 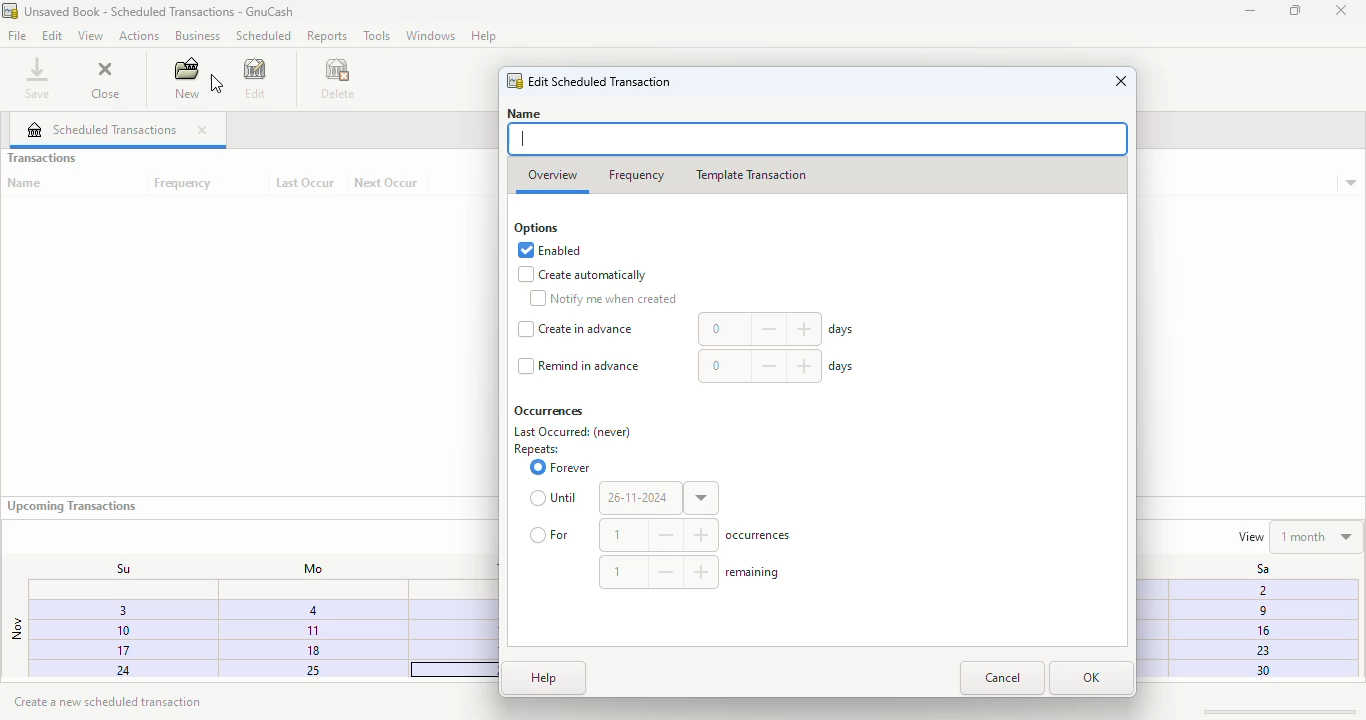 What do you see at coordinates (550, 250) in the screenshot?
I see `enabled` at bounding box center [550, 250].